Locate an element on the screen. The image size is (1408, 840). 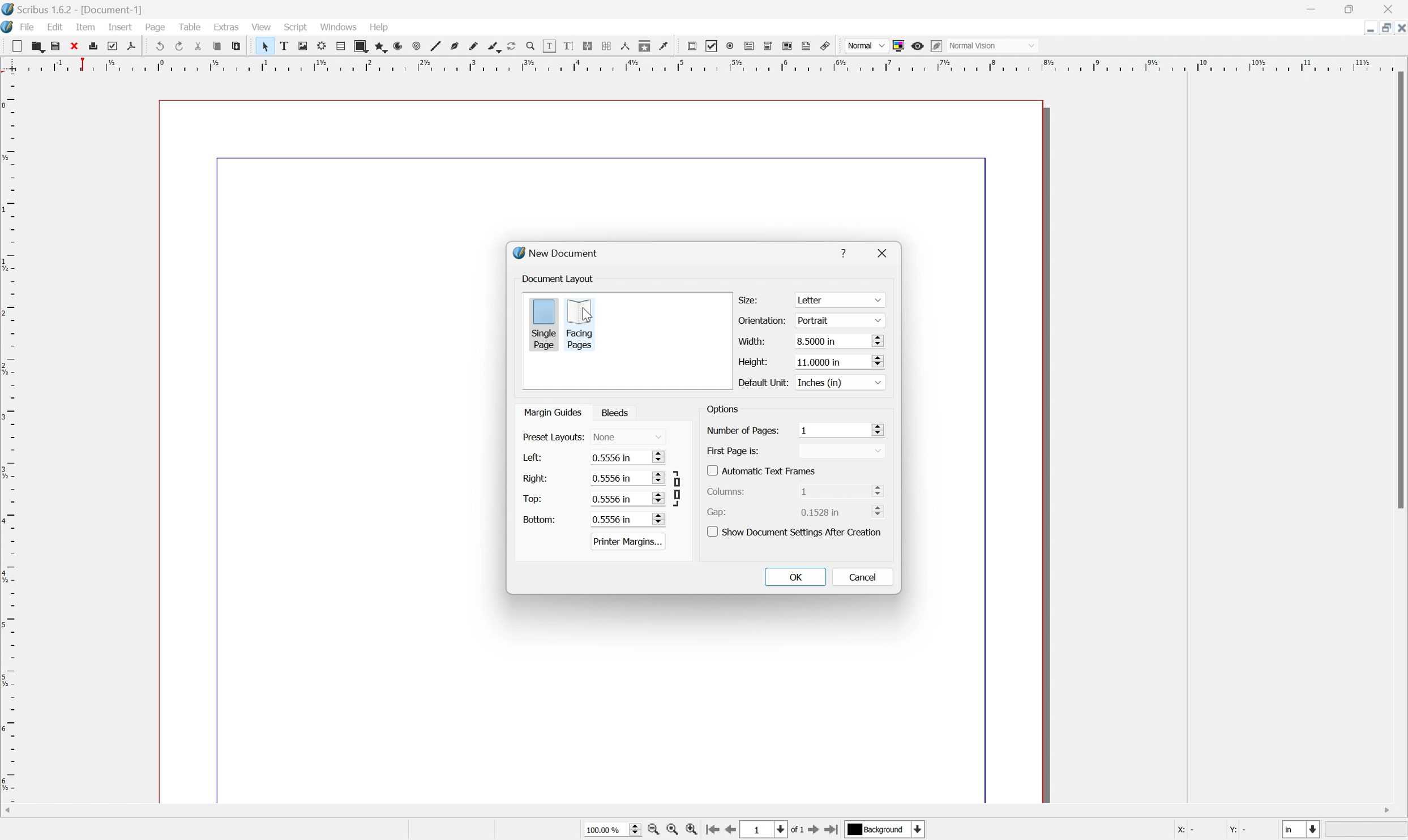
go to next page is located at coordinates (814, 831).